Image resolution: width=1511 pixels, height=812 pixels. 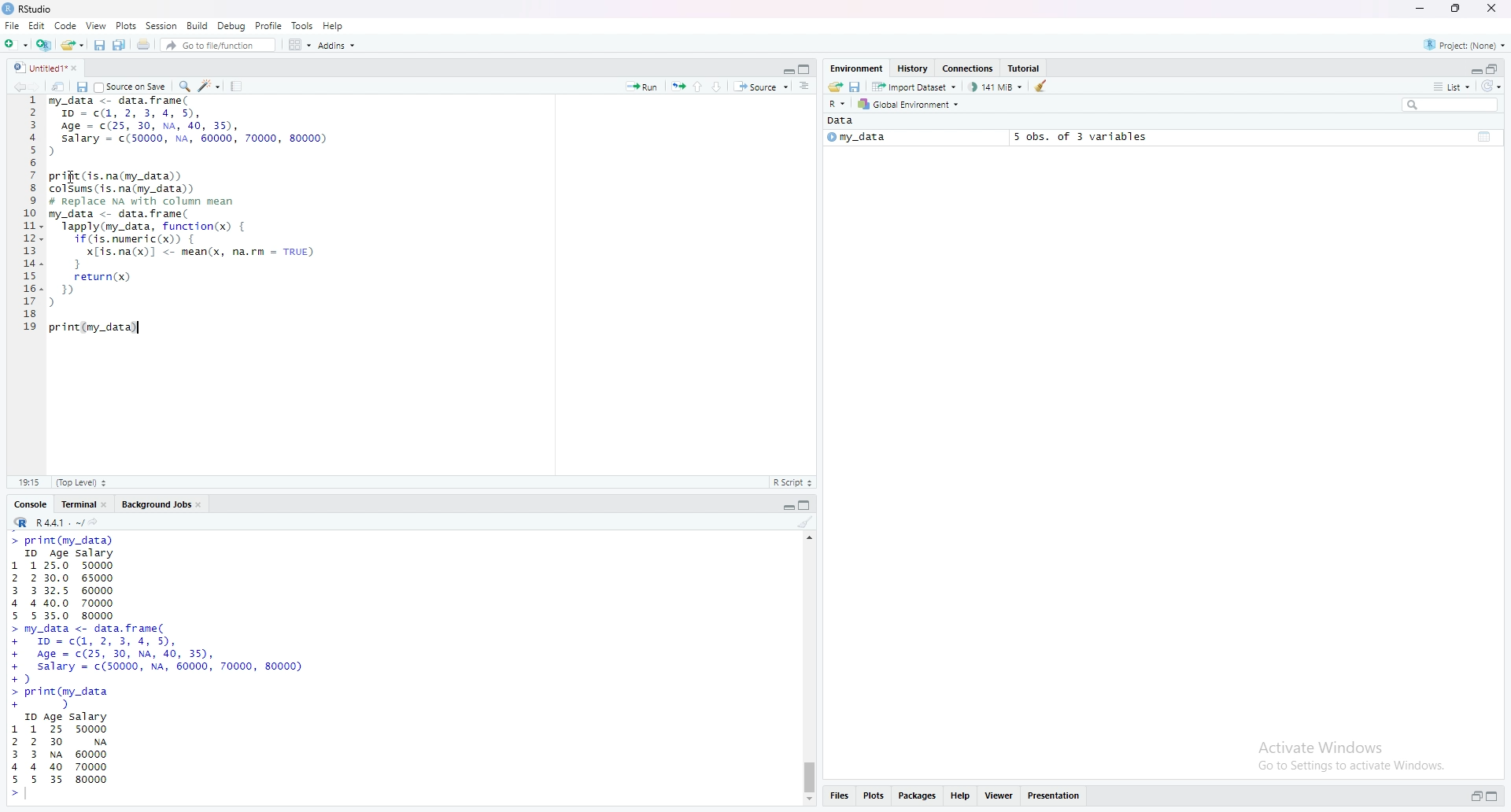 What do you see at coordinates (233, 24) in the screenshot?
I see `Debug` at bounding box center [233, 24].